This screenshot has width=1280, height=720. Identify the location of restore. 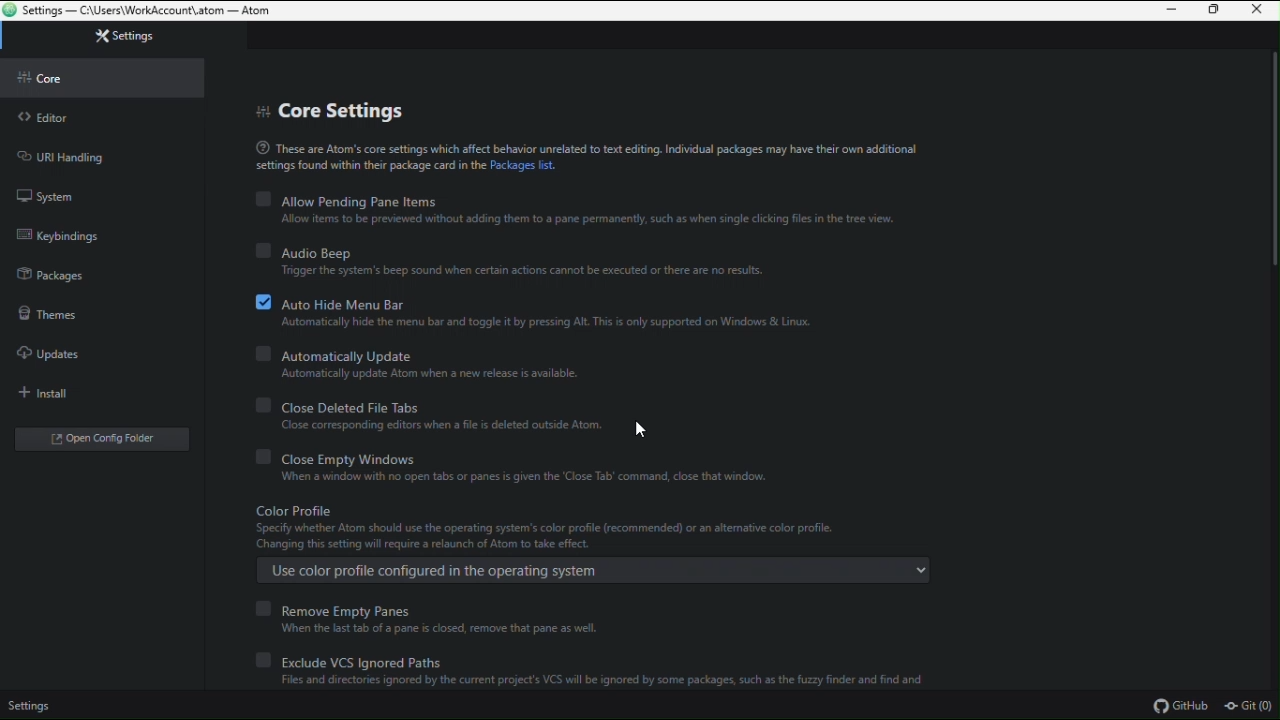
(1217, 11).